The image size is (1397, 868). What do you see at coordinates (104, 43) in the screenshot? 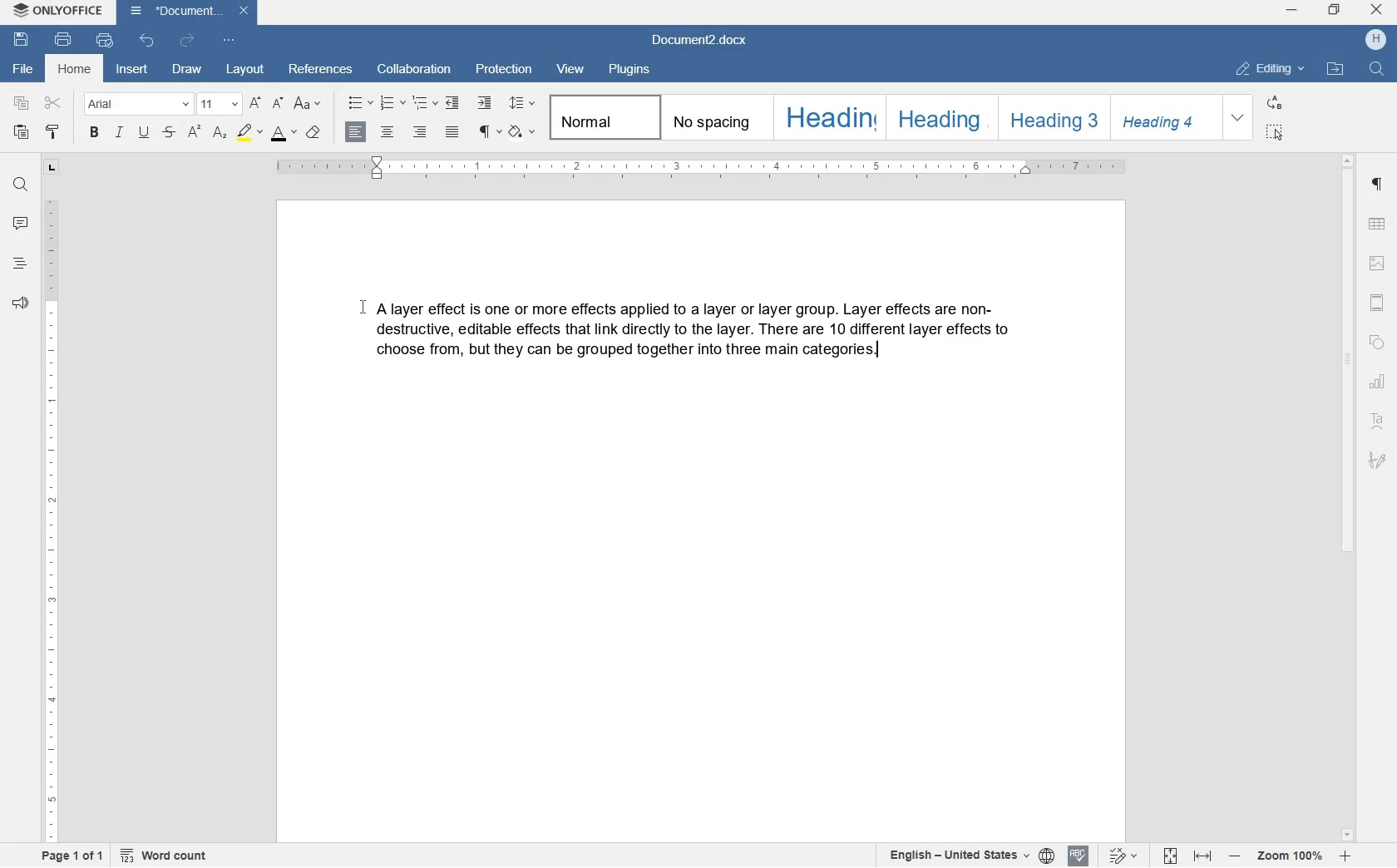
I see `quick print` at bounding box center [104, 43].